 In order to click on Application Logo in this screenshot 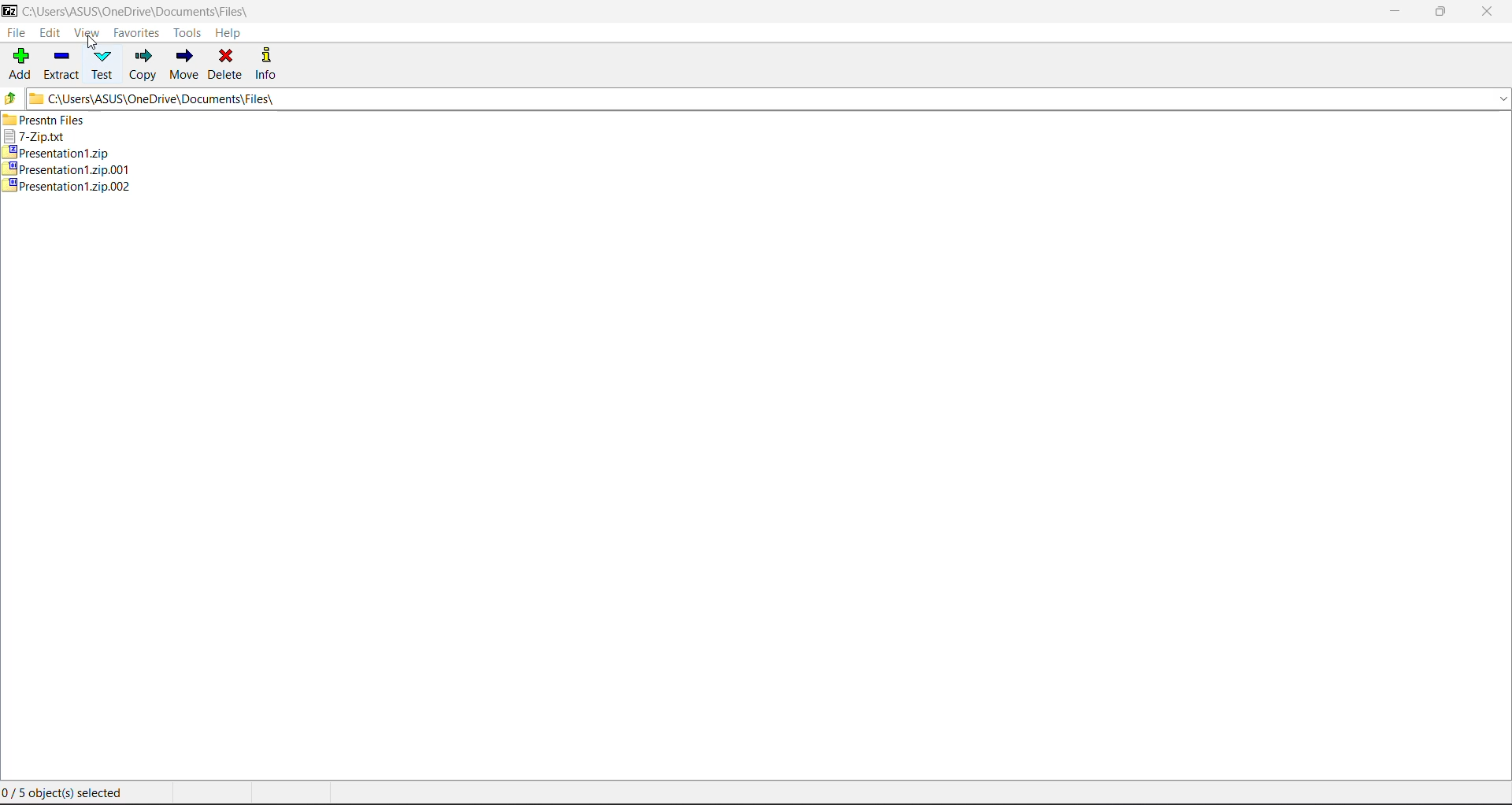, I will do `click(9, 12)`.